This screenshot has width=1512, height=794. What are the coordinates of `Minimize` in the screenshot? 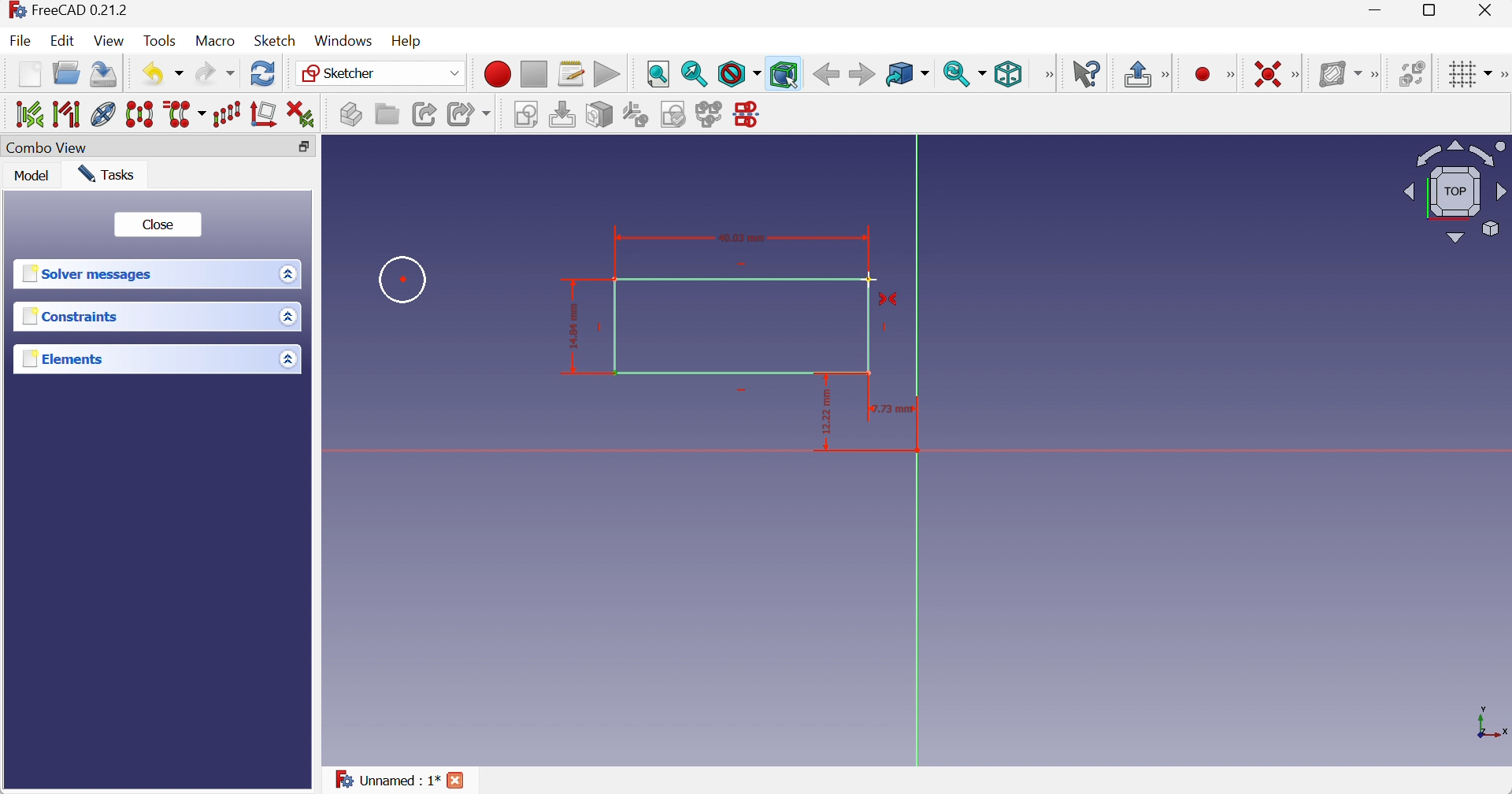 It's located at (1378, 10).